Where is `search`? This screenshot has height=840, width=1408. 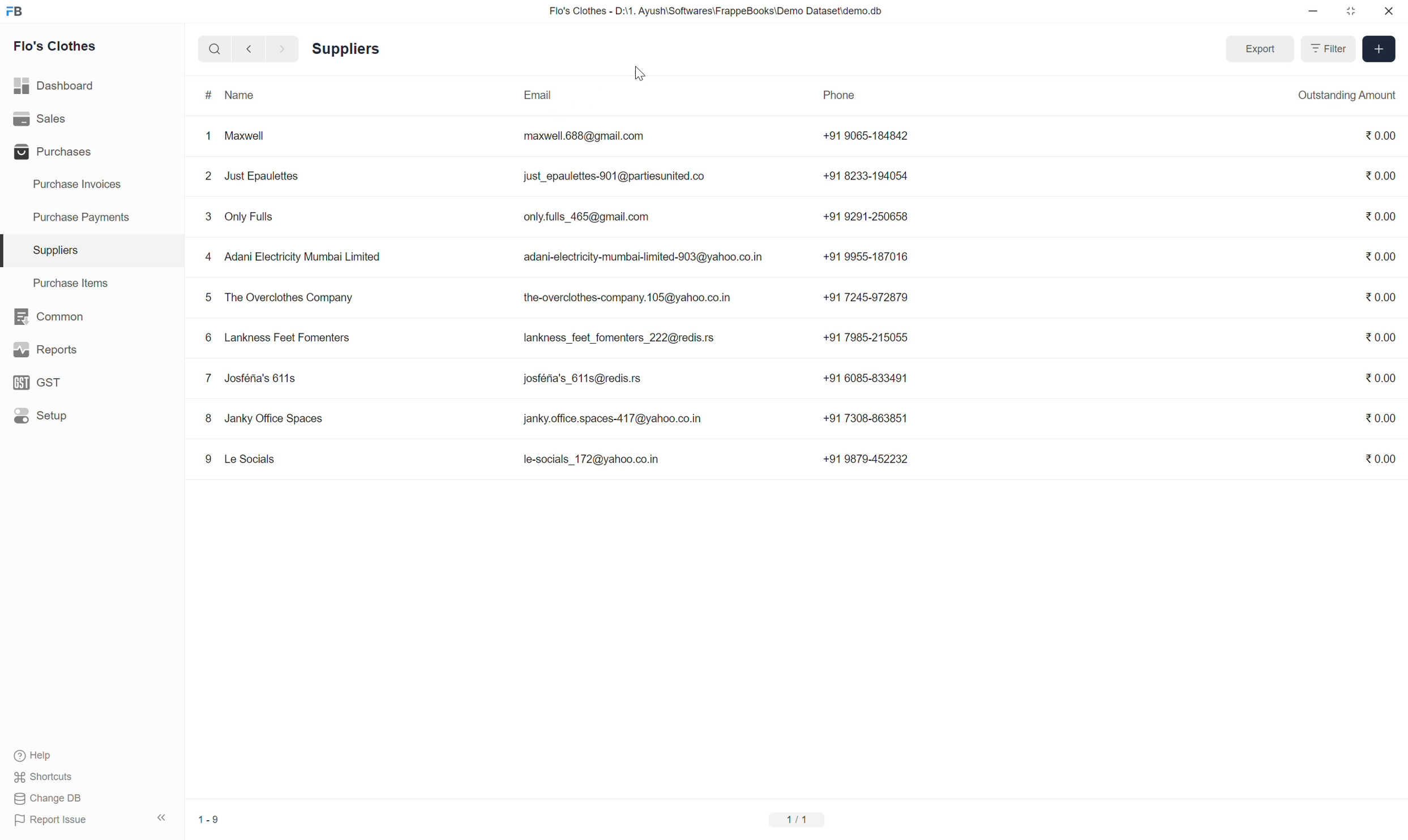
search is located at coordinates (212, 49).